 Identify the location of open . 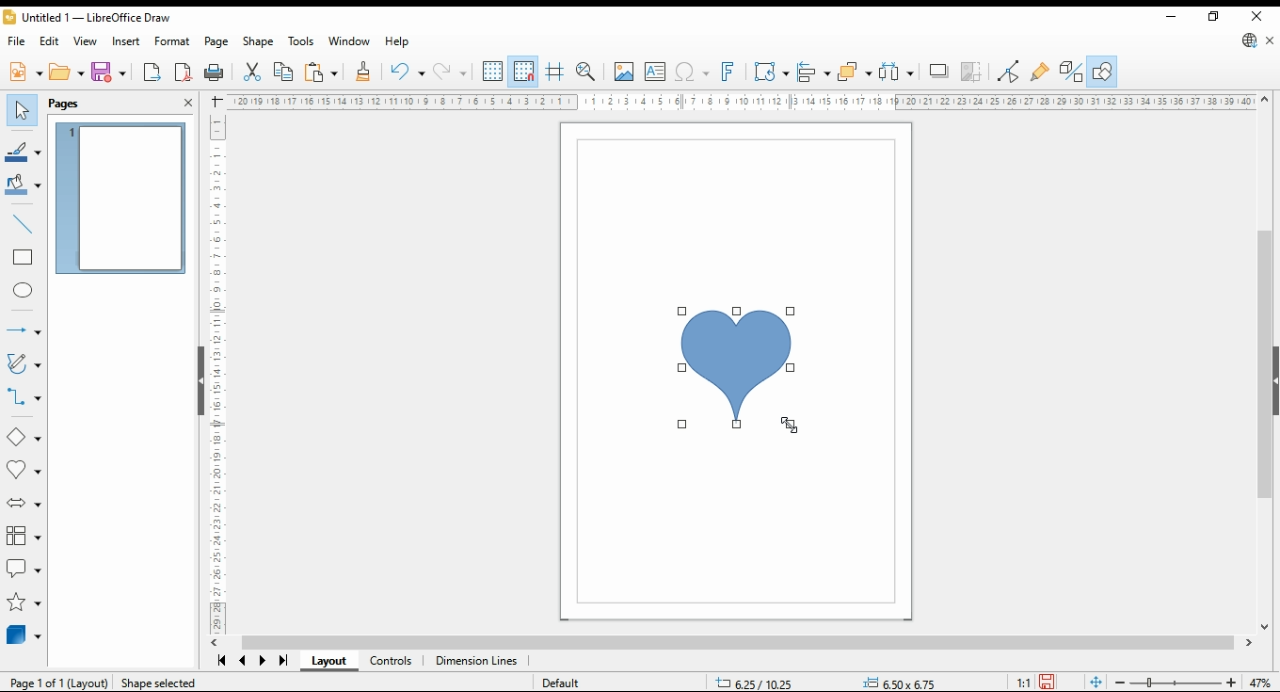
(67, 72).